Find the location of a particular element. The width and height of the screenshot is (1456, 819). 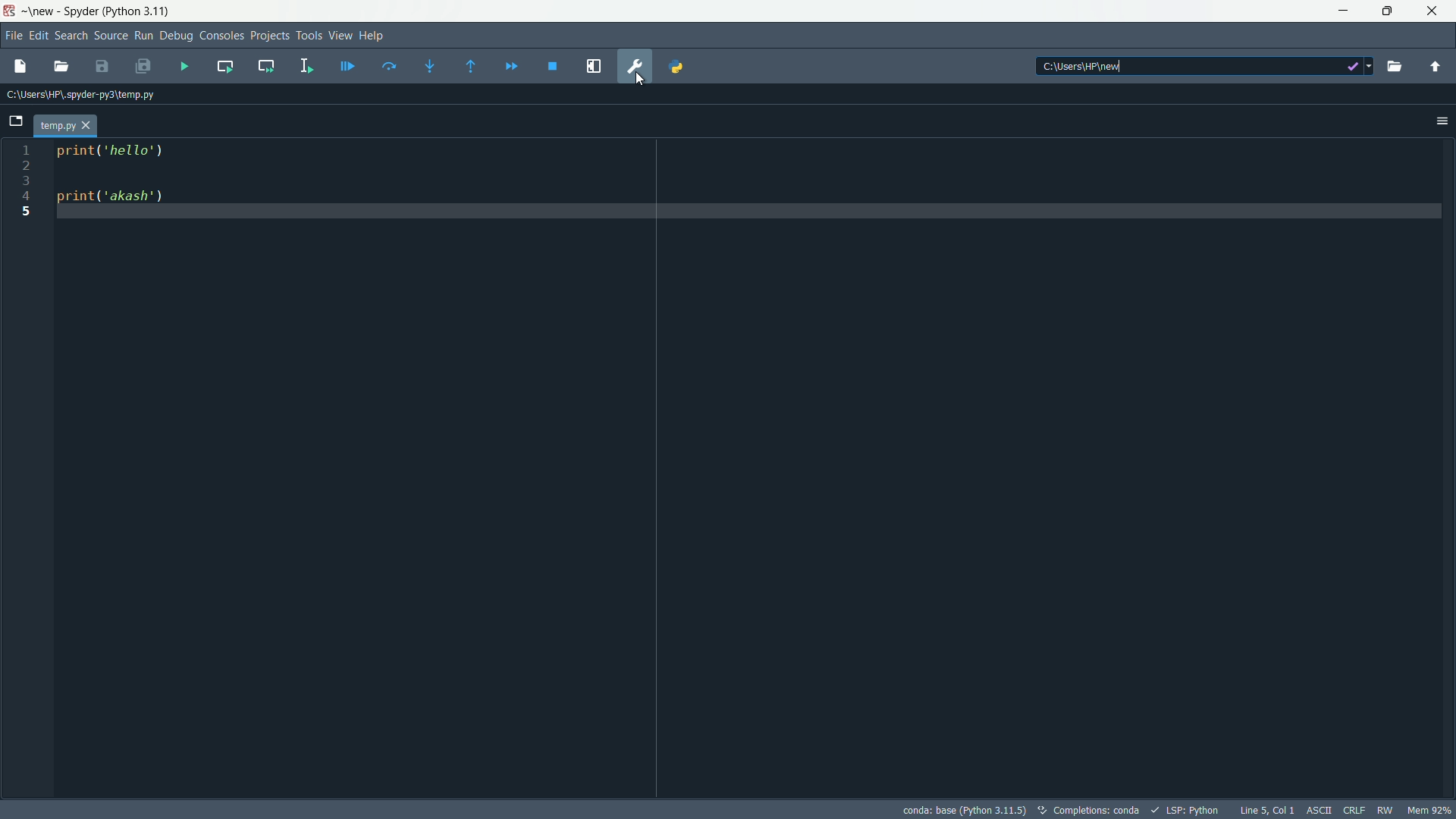

ASCII is located at coordinates (1321, 810).